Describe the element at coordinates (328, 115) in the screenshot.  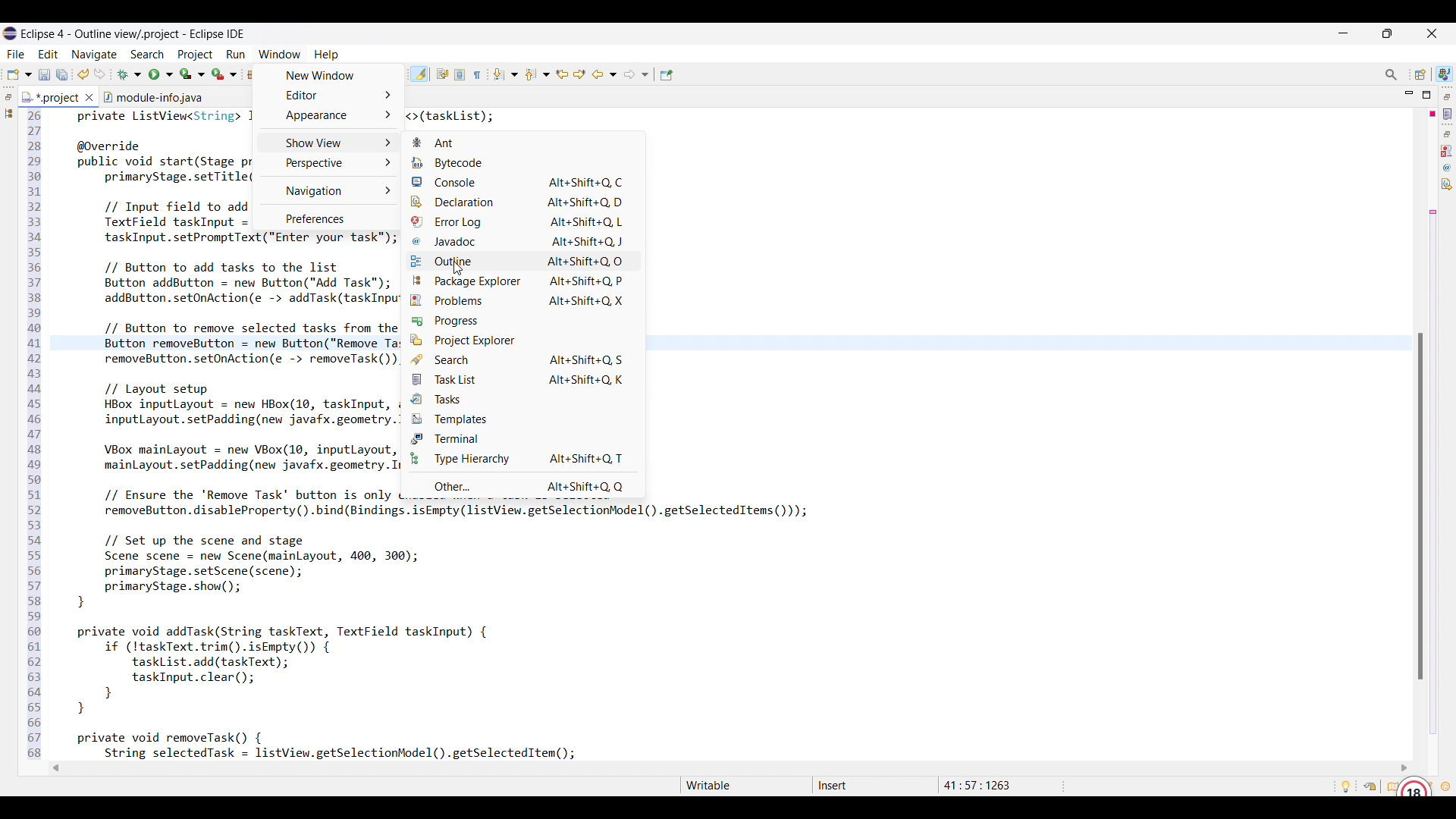
I see `Appearance options` at that location.